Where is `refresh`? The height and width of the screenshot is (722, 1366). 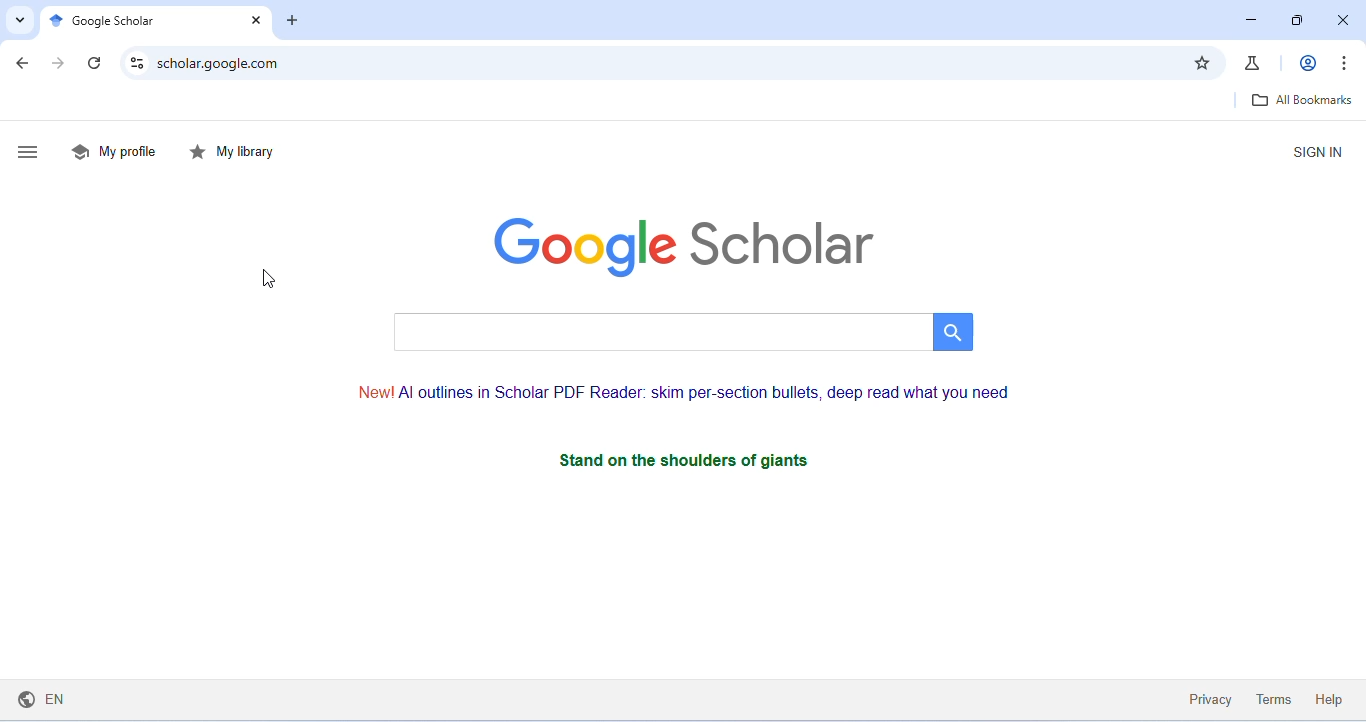
refresh is located at coordinates (97, 64).